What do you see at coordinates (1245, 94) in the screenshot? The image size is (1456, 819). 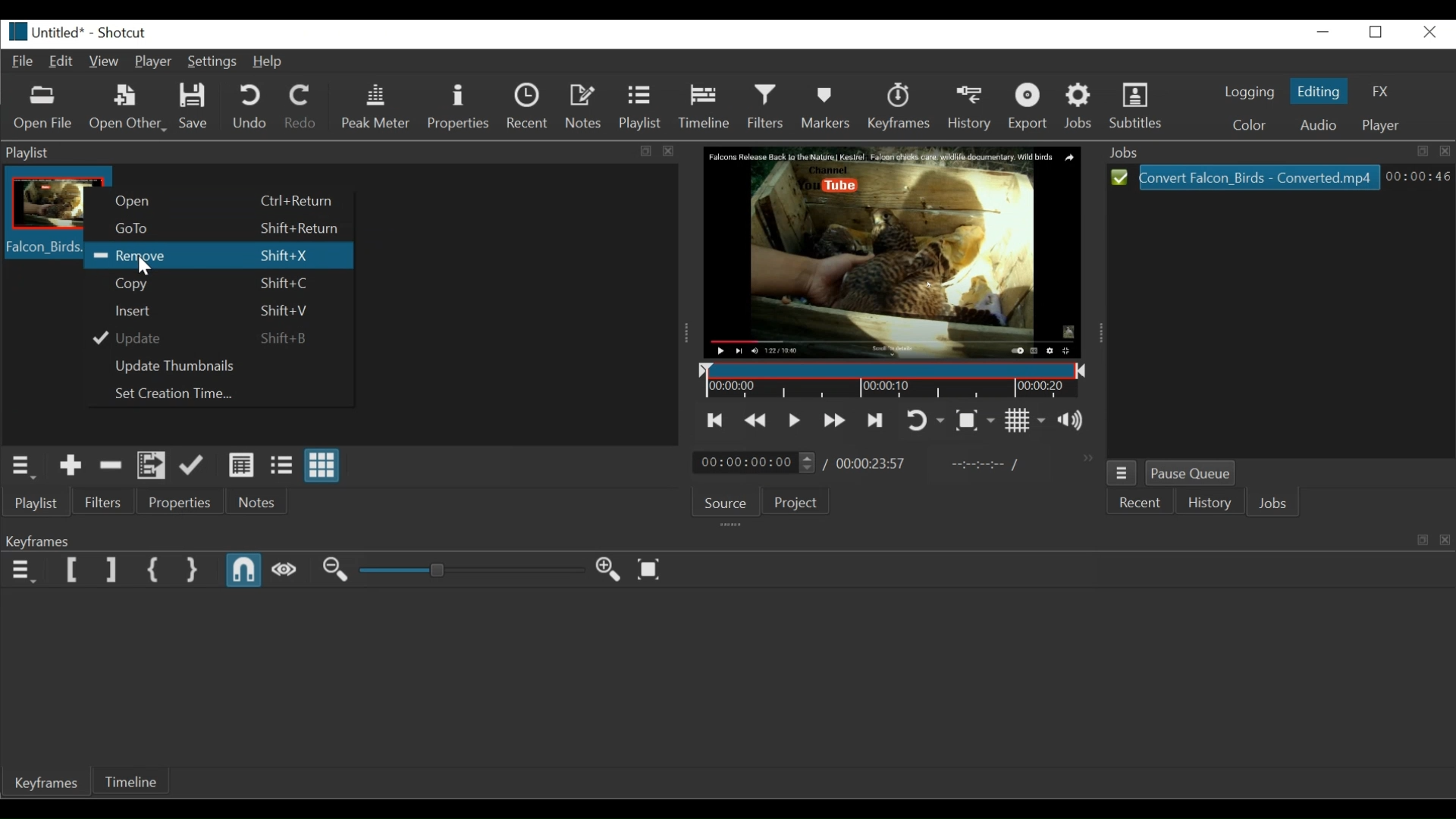 I see `Logging` at bounding box center [1245, 94].